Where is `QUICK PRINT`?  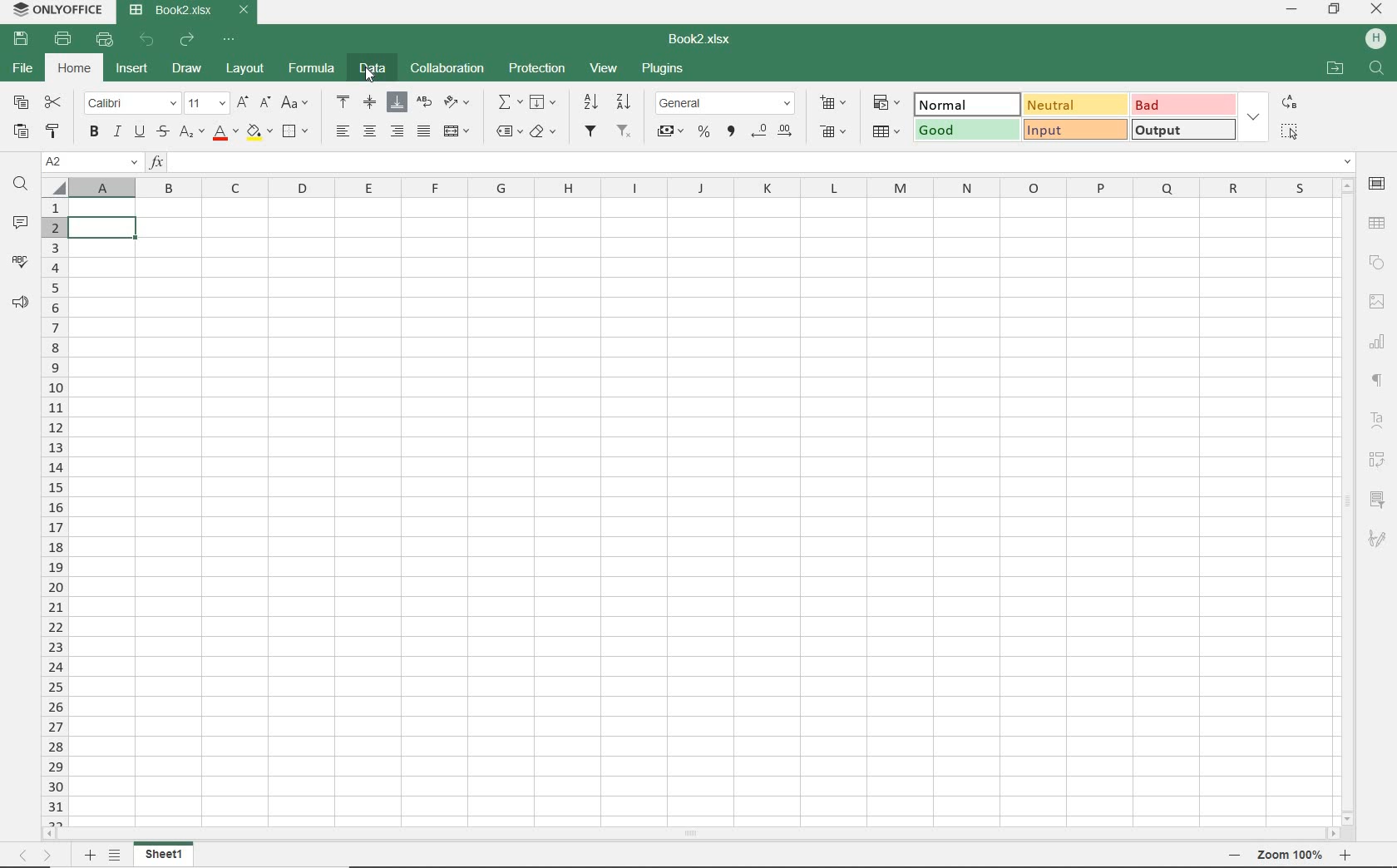 QUICK PRINT is located at coordinates (102, 37).